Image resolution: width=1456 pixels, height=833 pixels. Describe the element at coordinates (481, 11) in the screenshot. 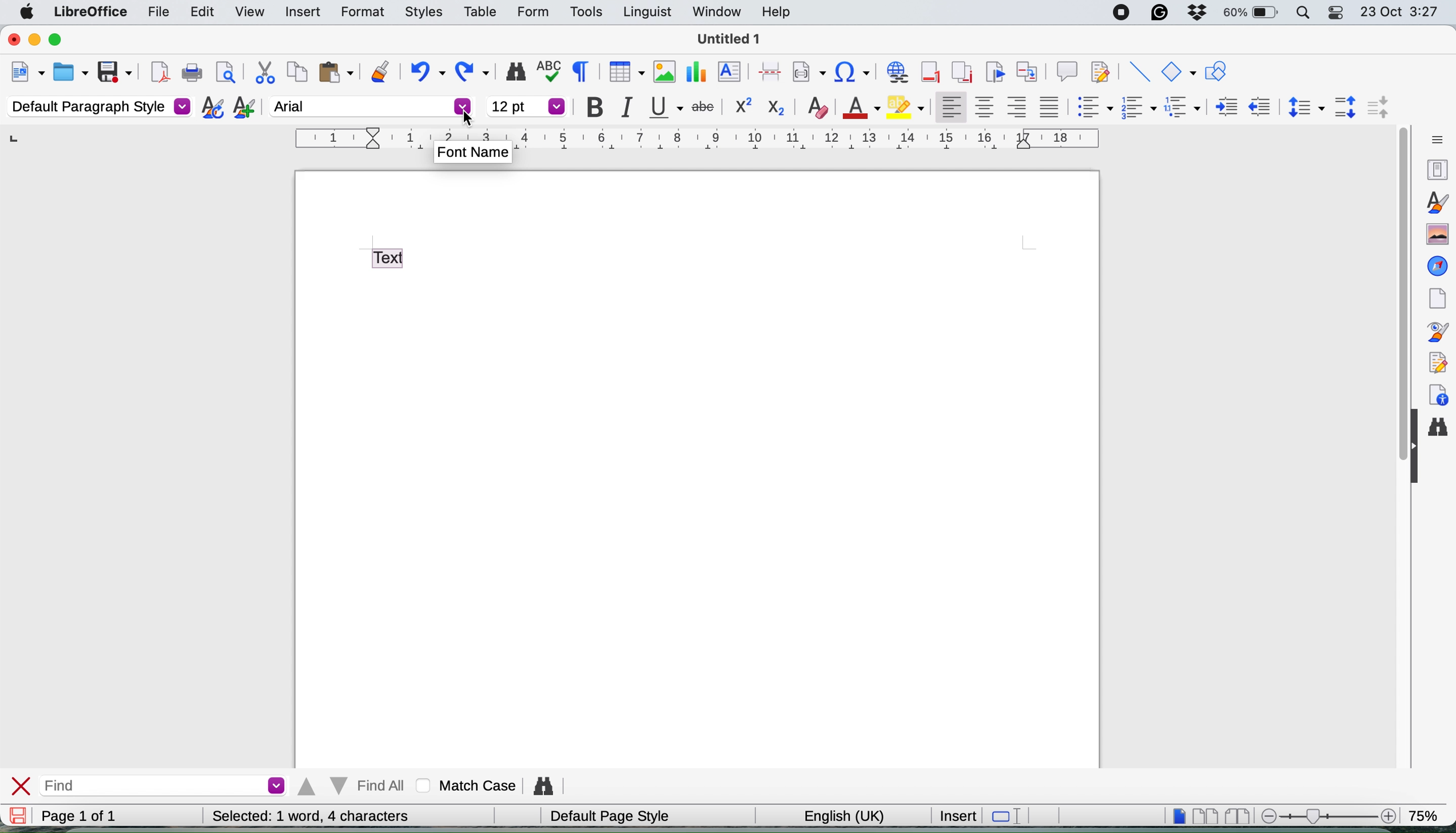

I see `table` at that location.